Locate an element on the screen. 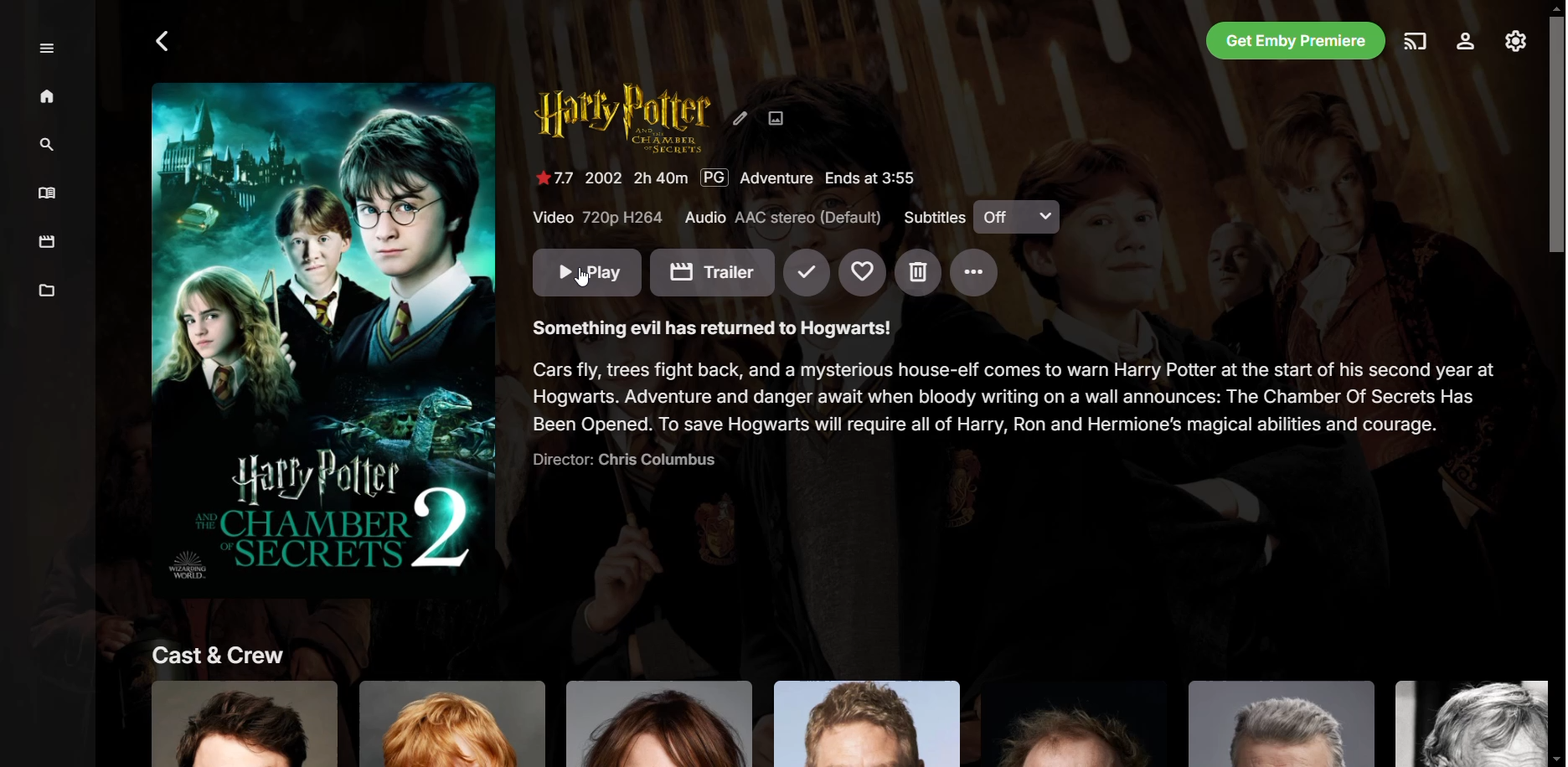 This screenshot has height=767, width=1568. Add to Favorites is located at coordinates (863, 273).